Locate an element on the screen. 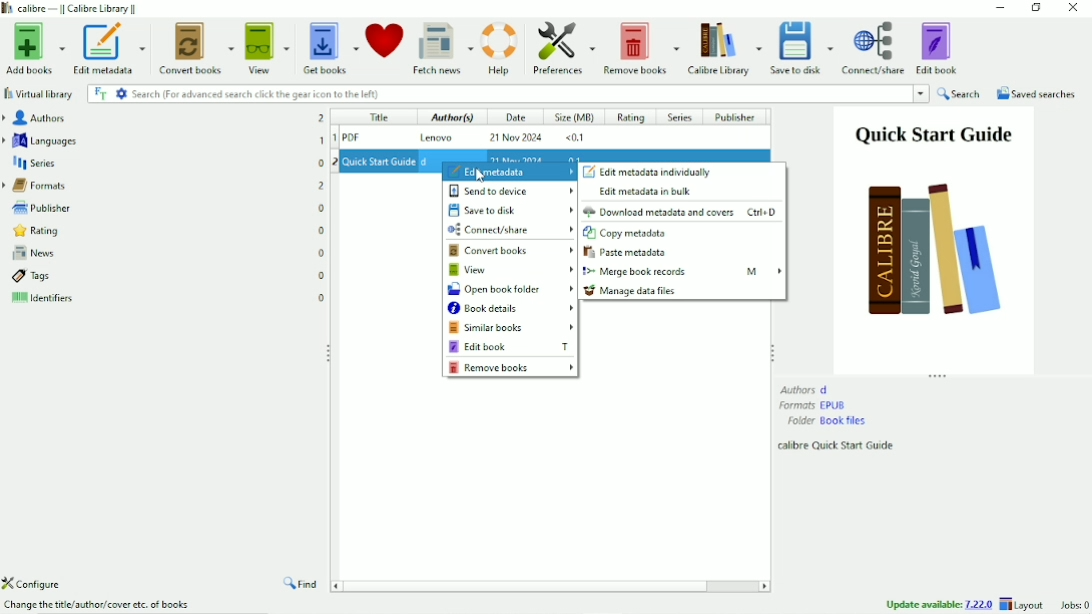 This screenshot has height=614, width=1092. Identifiers is located at coordinates (167, 301).